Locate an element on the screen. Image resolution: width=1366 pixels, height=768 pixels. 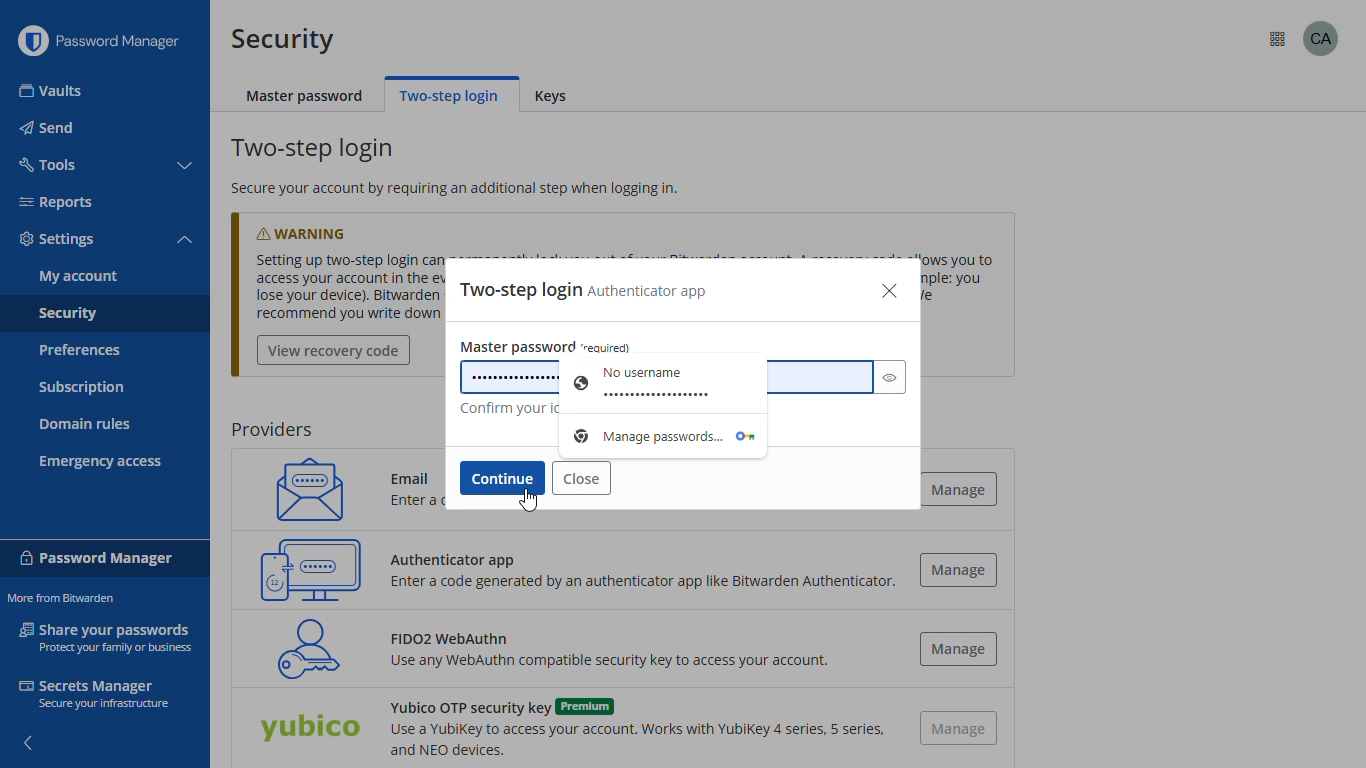
providers is located at coordinates (271, 430).